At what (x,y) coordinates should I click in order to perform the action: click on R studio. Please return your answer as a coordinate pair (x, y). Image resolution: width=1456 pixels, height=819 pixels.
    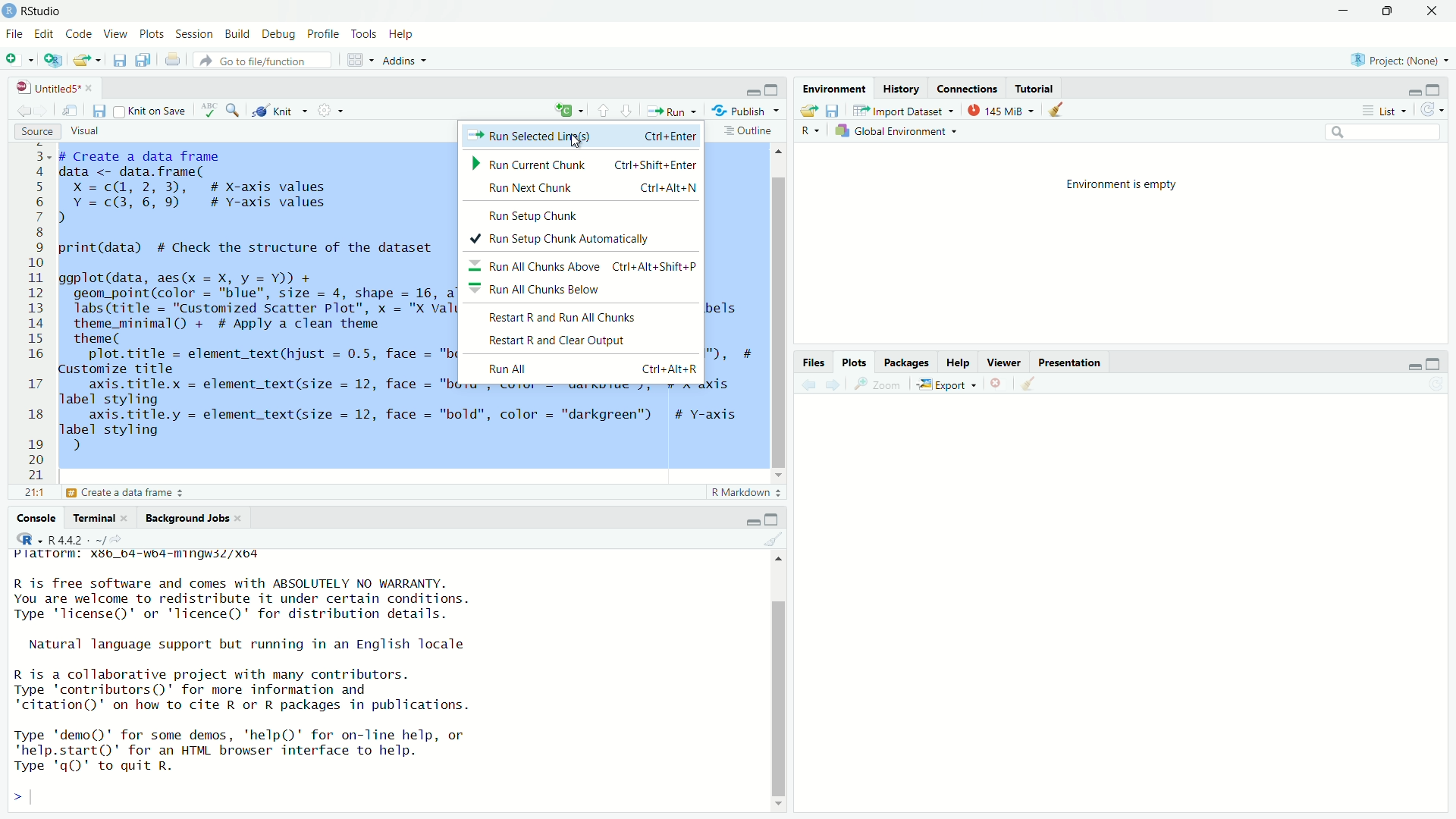
    Looking at the image, I should click on (42, 11).